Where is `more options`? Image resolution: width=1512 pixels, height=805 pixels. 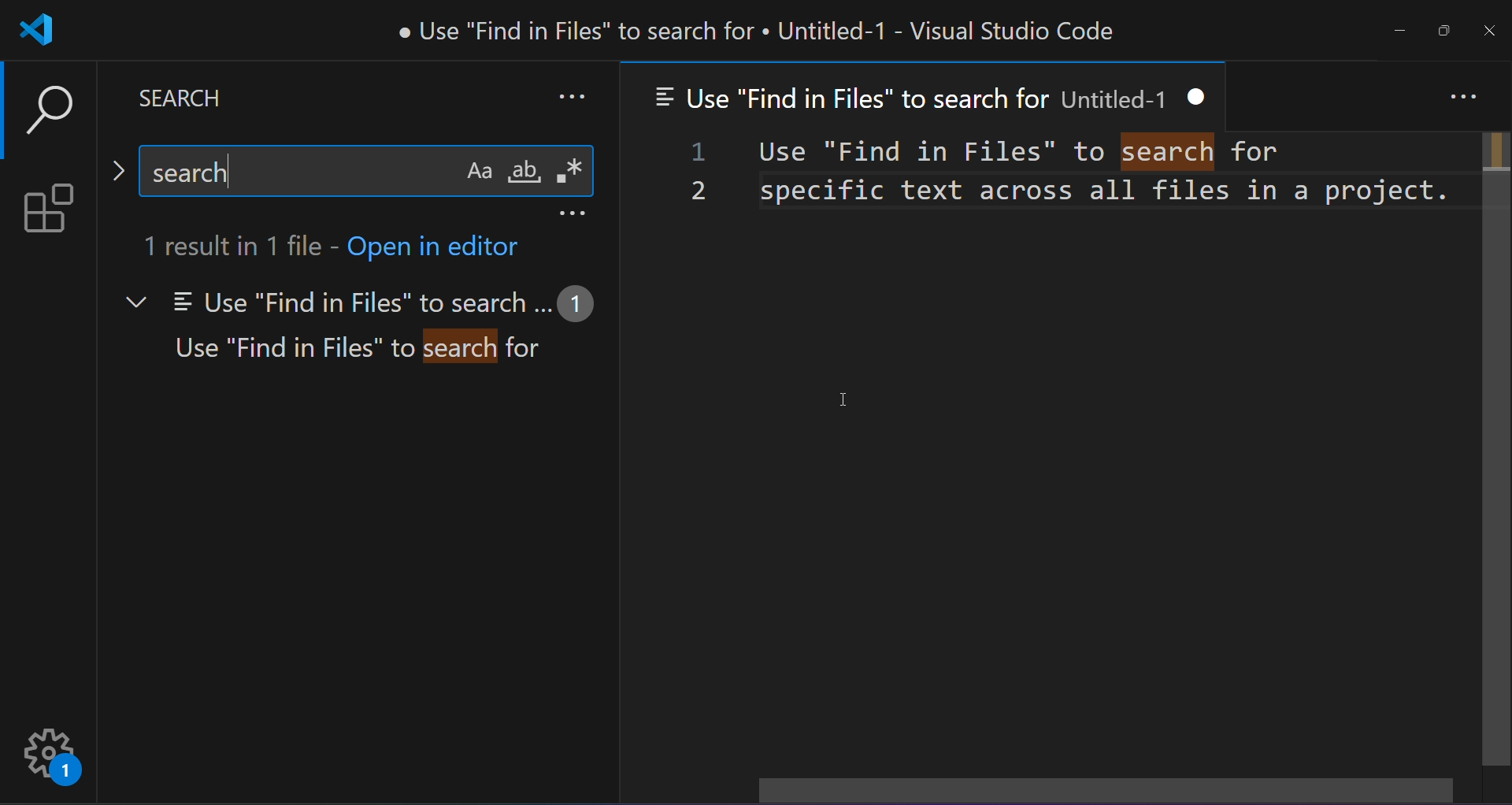
more options is located at coordinates (564, 216).